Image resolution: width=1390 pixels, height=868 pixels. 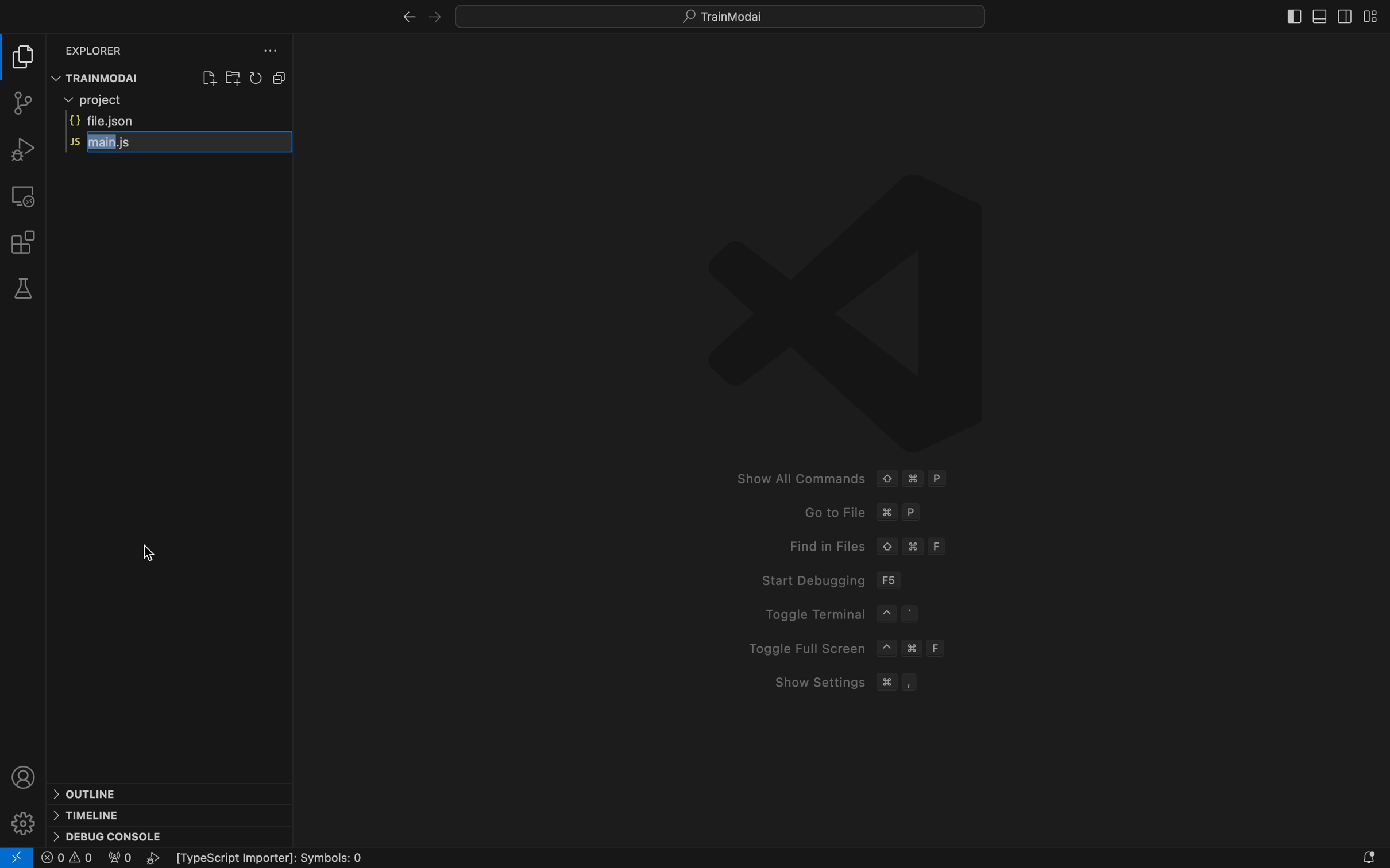 I want to click on layout, so click(x=1374, y=17).